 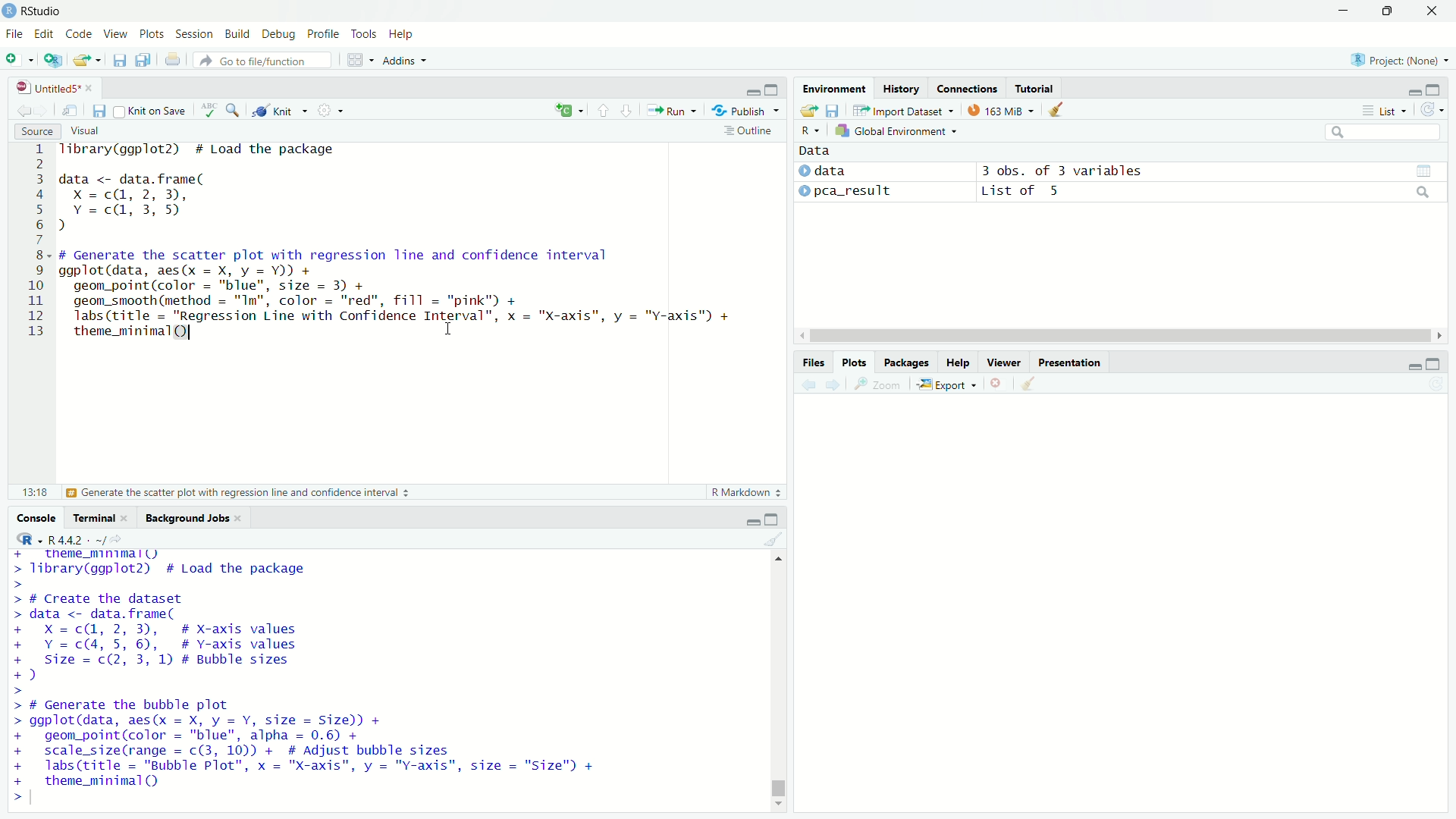 What do you see at coordinates (35, 516) in the screenshot?
I see `Console` at bounding box center [35, 516].